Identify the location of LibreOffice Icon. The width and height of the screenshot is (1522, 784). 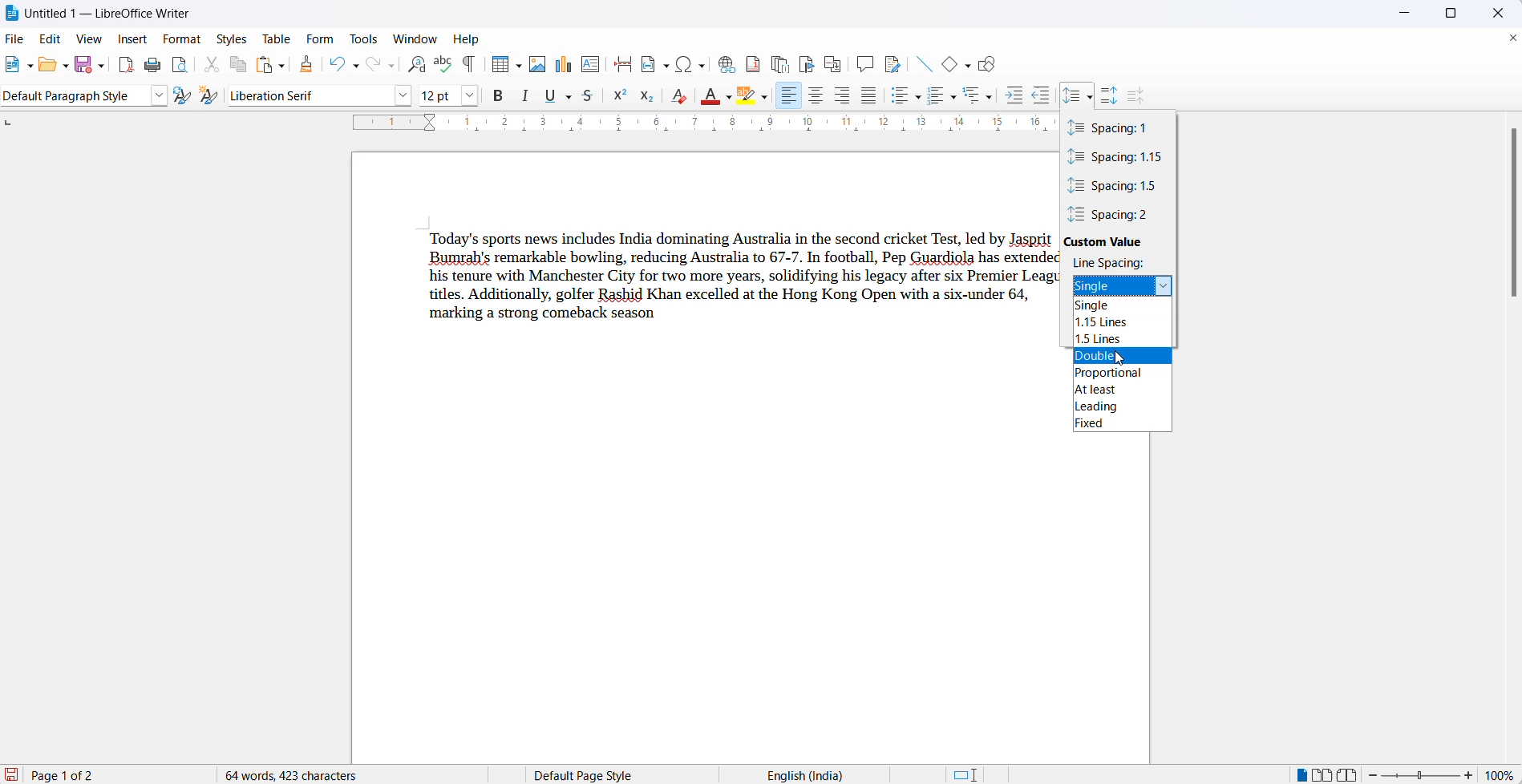
(10, 11).